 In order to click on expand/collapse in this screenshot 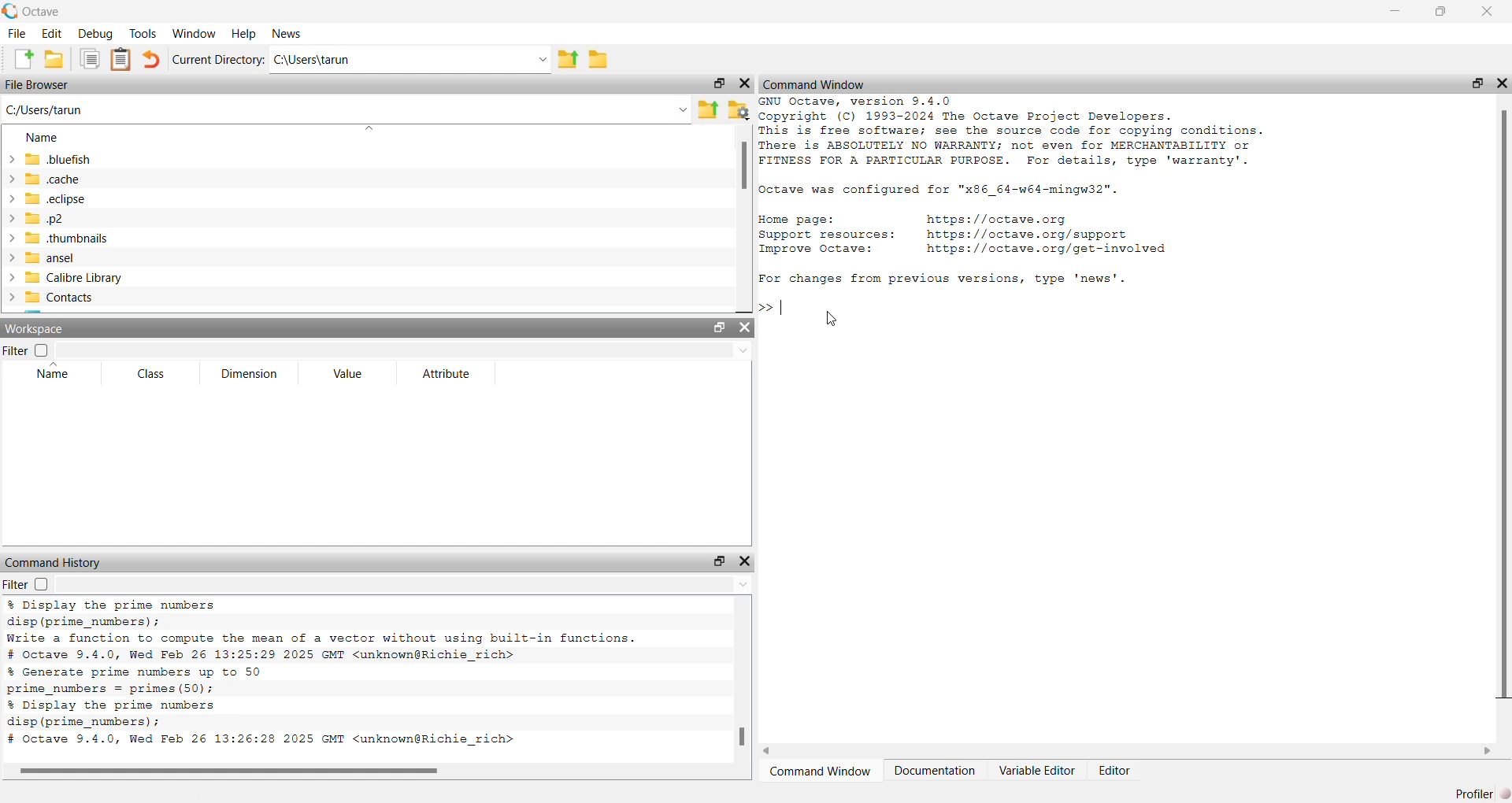, I will do `click(12, 228)`.